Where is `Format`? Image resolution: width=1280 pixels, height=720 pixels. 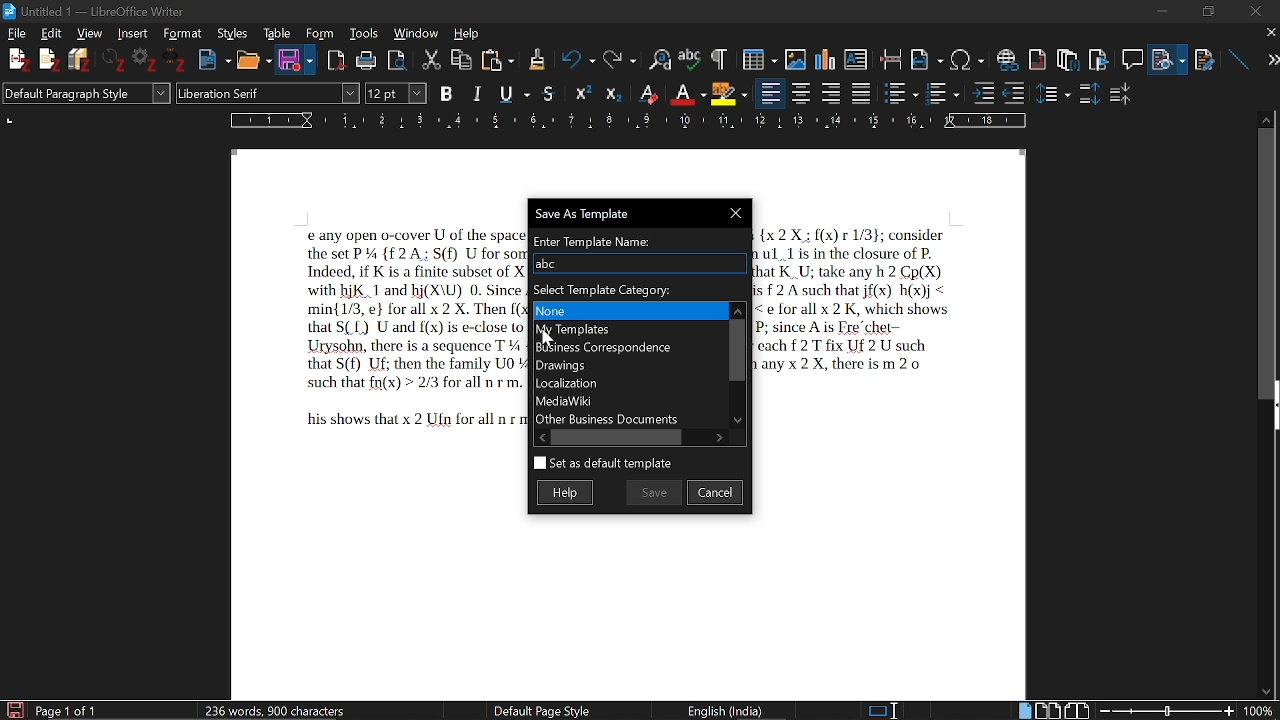
Format is located at coordinates (180, 33).